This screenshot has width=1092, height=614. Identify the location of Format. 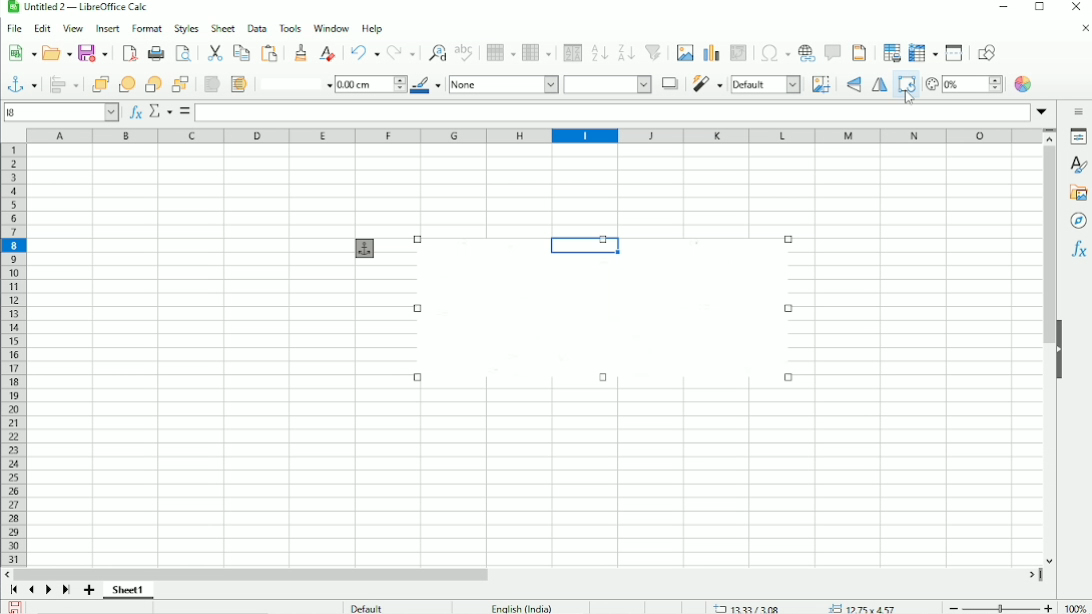
(146, 28).